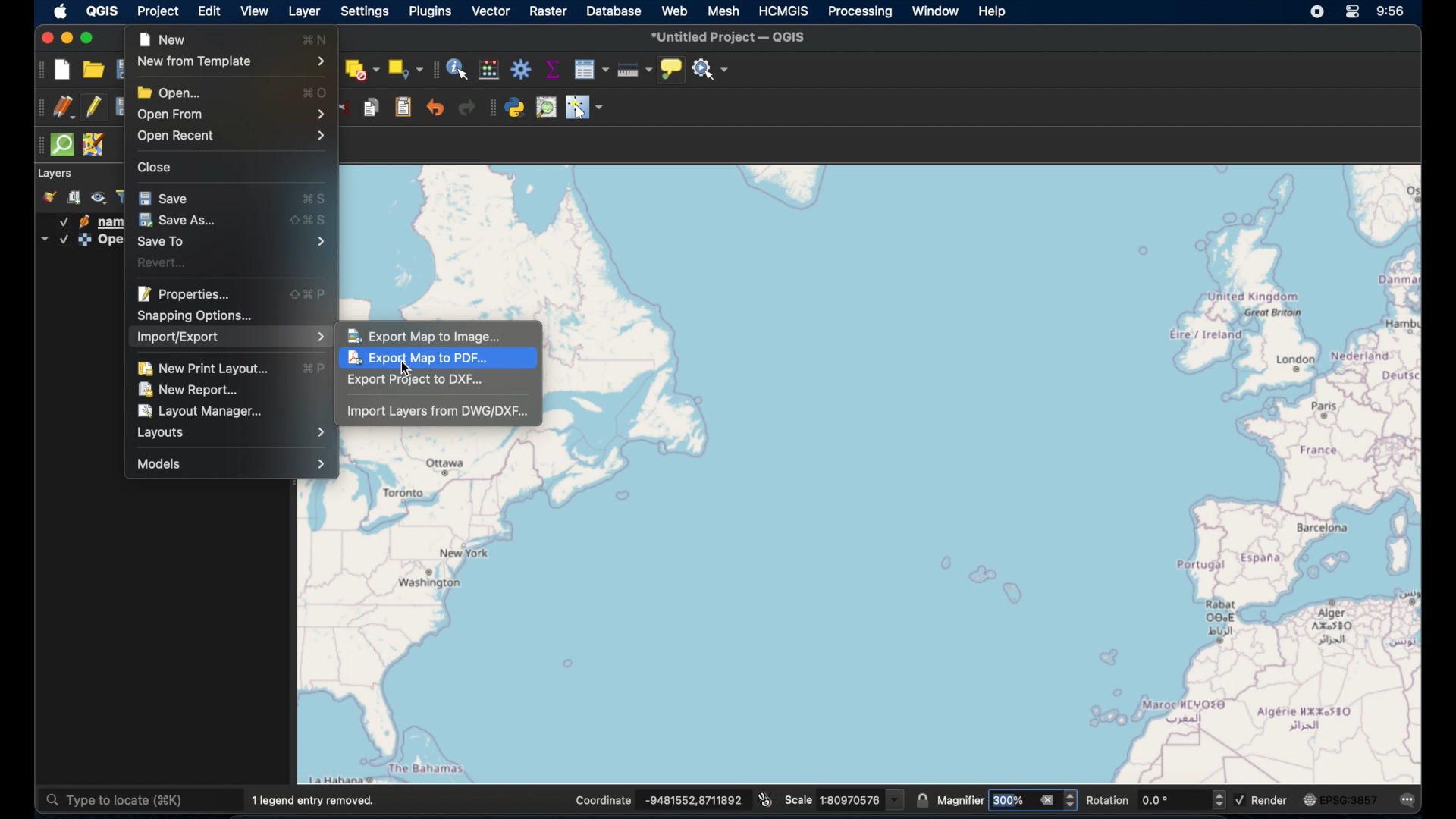 The width and height of the screenshot is (1456, 819). Describe the element at coordinates (93, 71) in the screenshot. I see `open project` at that location.